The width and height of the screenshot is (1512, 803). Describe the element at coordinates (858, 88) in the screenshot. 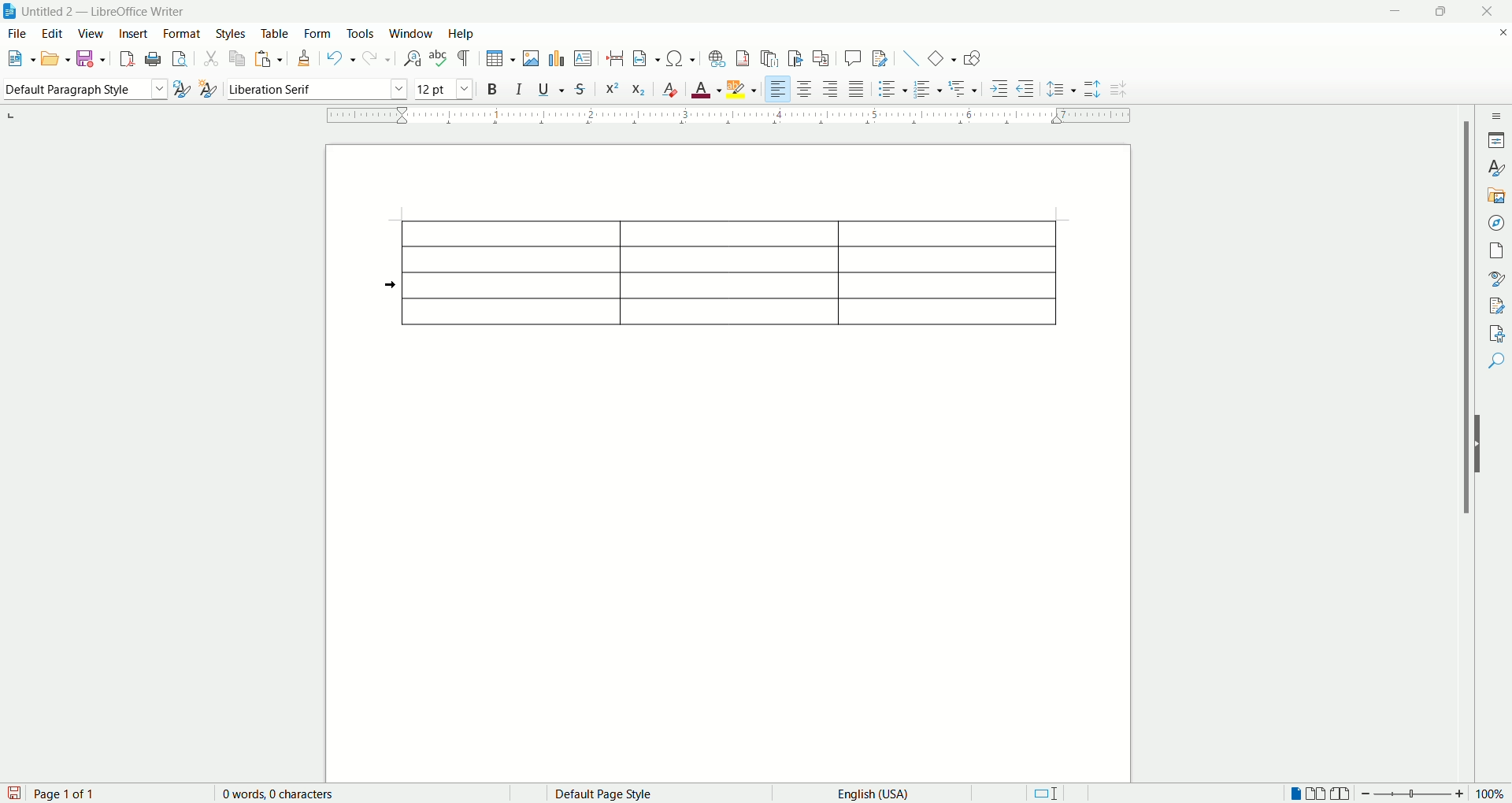

I see `justified` at that location.